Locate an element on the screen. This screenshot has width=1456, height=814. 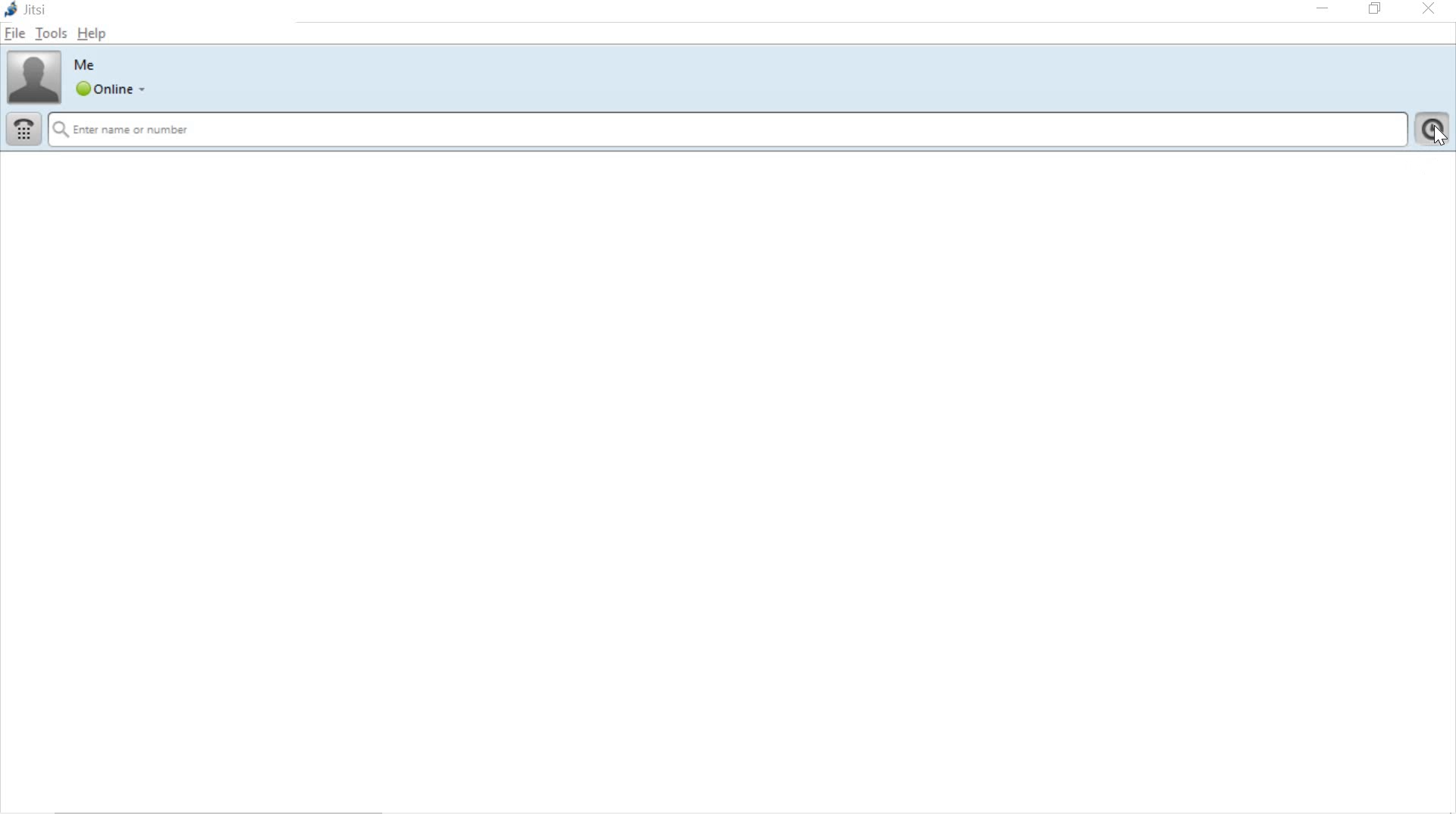
help is located at coordinates (92, 36).